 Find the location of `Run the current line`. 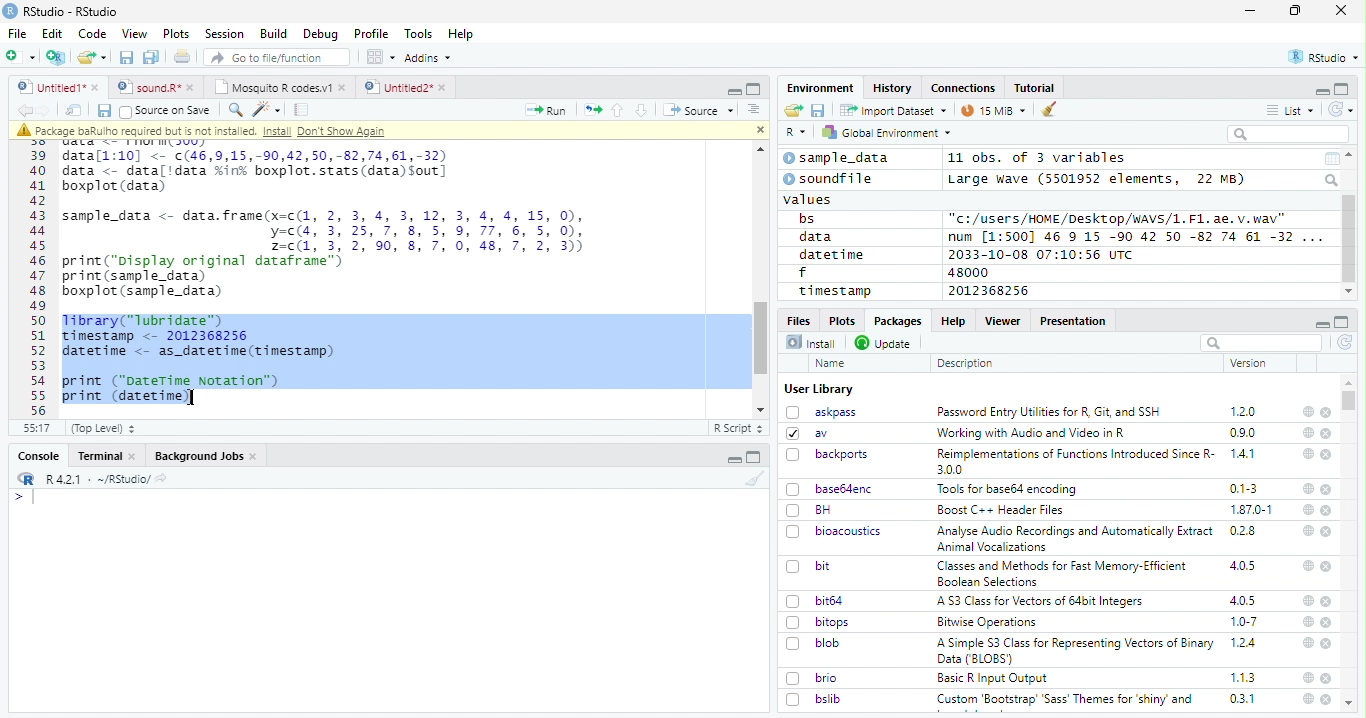

Run the current line is located at coordinates (546, 110).